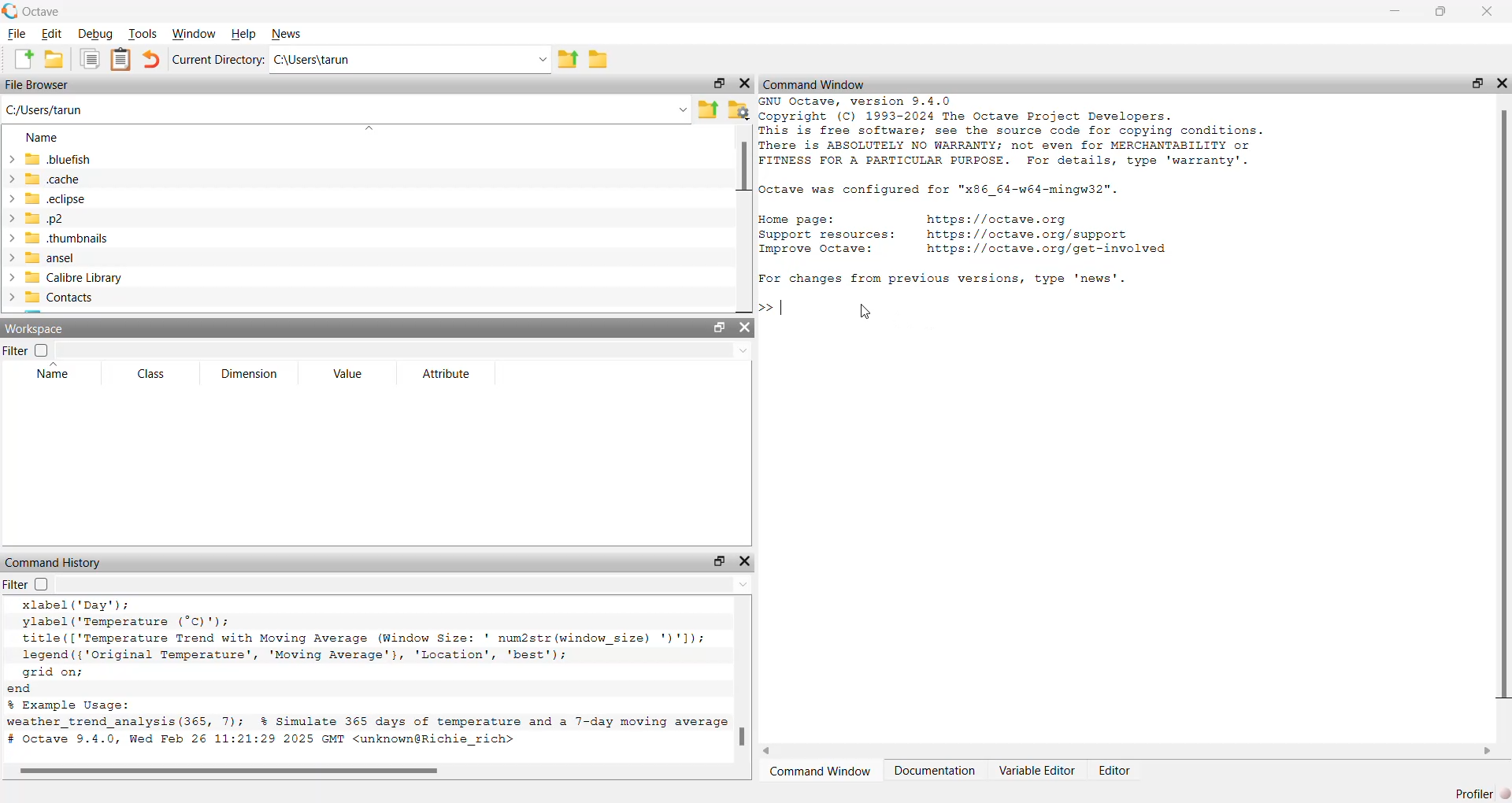 This screenshot has width=1512, height=803. What do you see at coordinates (1471, 83) in the screenshot?
I see `maximise` at bounding box center [1471, 83].